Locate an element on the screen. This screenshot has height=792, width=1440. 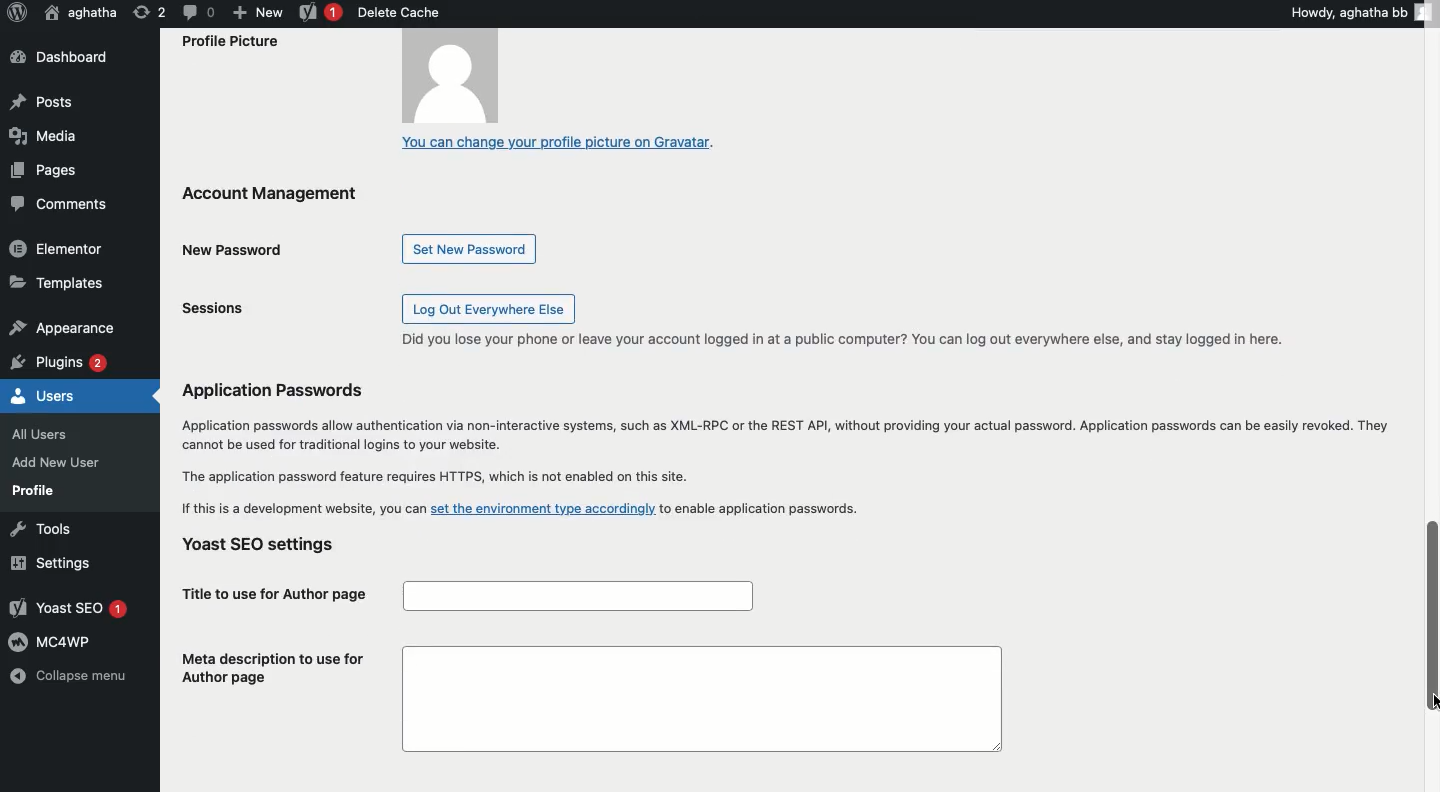
Media is located at coordinates (41, 135).